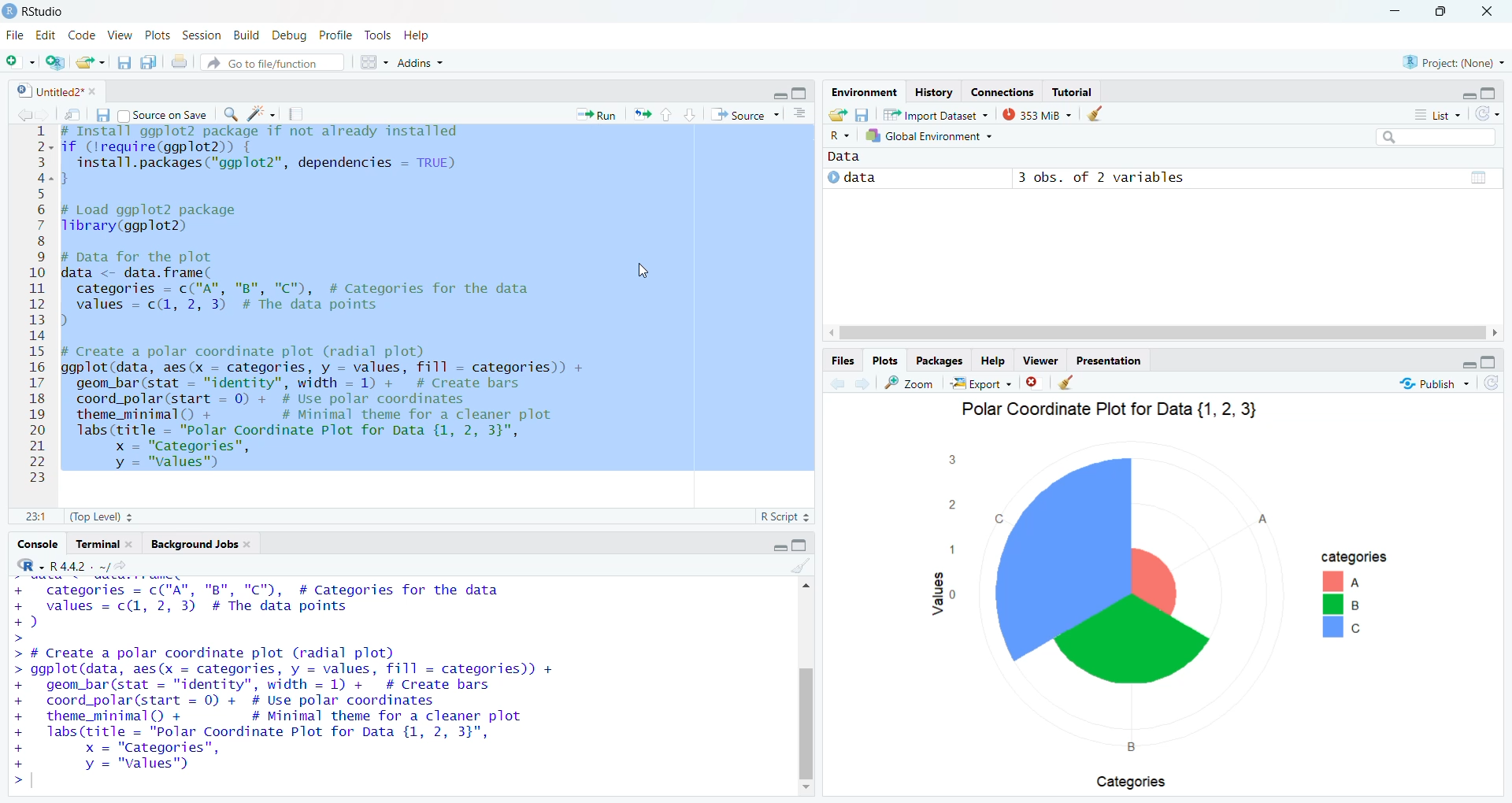 This screenshot has width=1512, height=803. Describe the element at coordinates (854, 178) in the screenshot. I see `data` at that location.